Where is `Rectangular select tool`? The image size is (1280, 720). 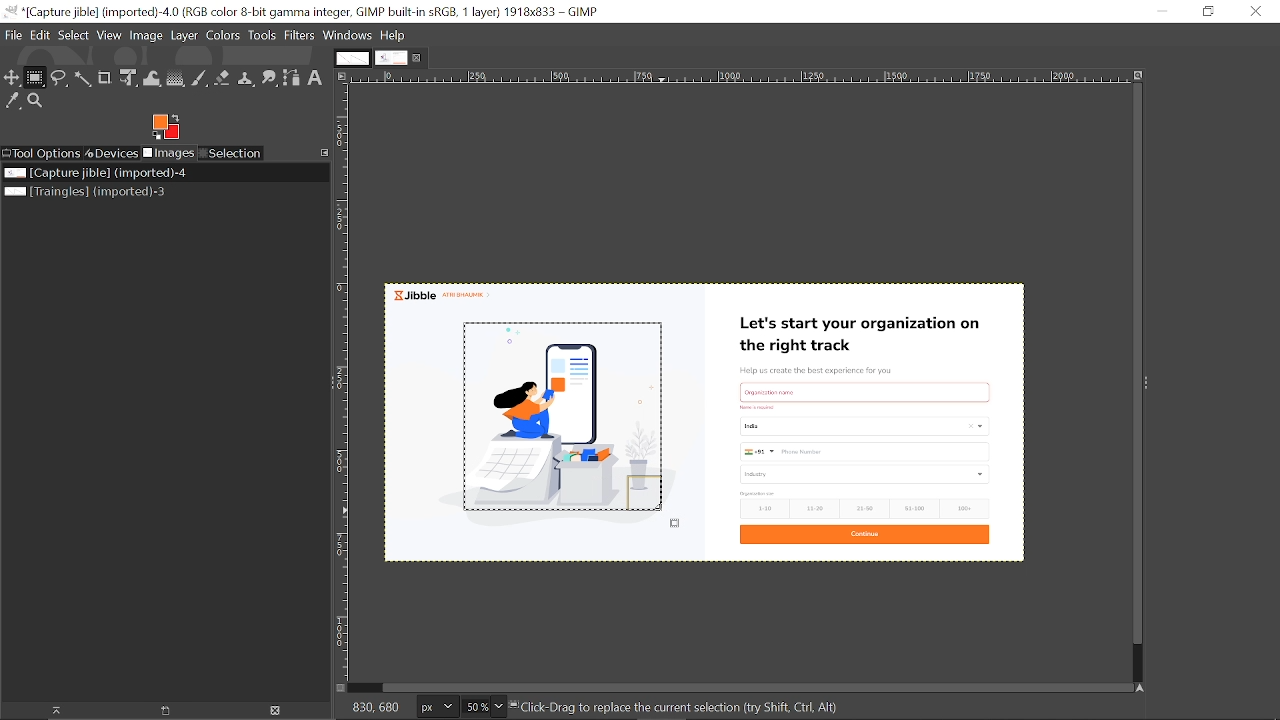 Rectangular select tool is located at coordinates (36, 79).